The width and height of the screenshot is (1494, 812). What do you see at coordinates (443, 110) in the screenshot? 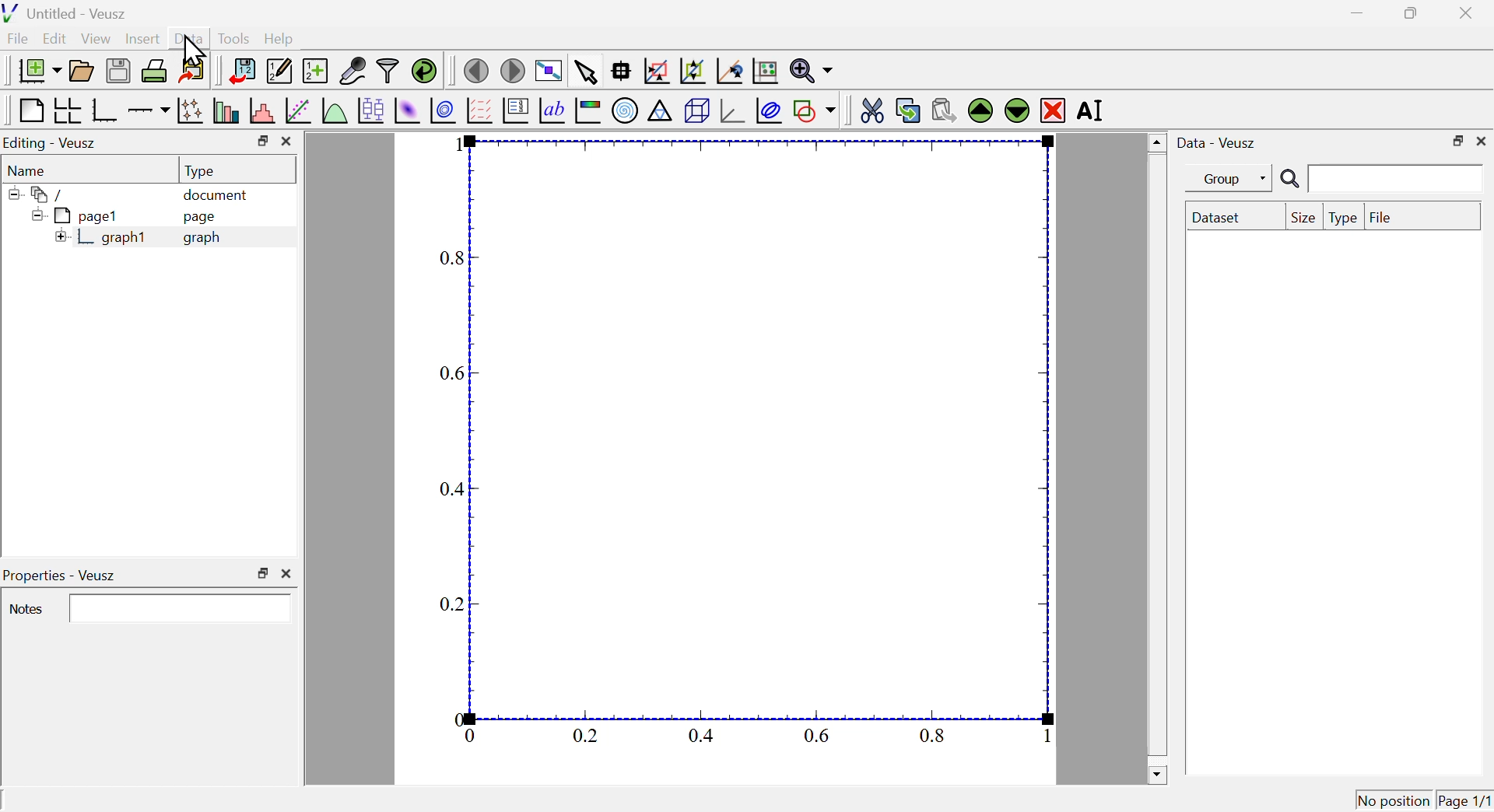
I see `plot a 2d dataset as contours` at bounding box center [443, 110].